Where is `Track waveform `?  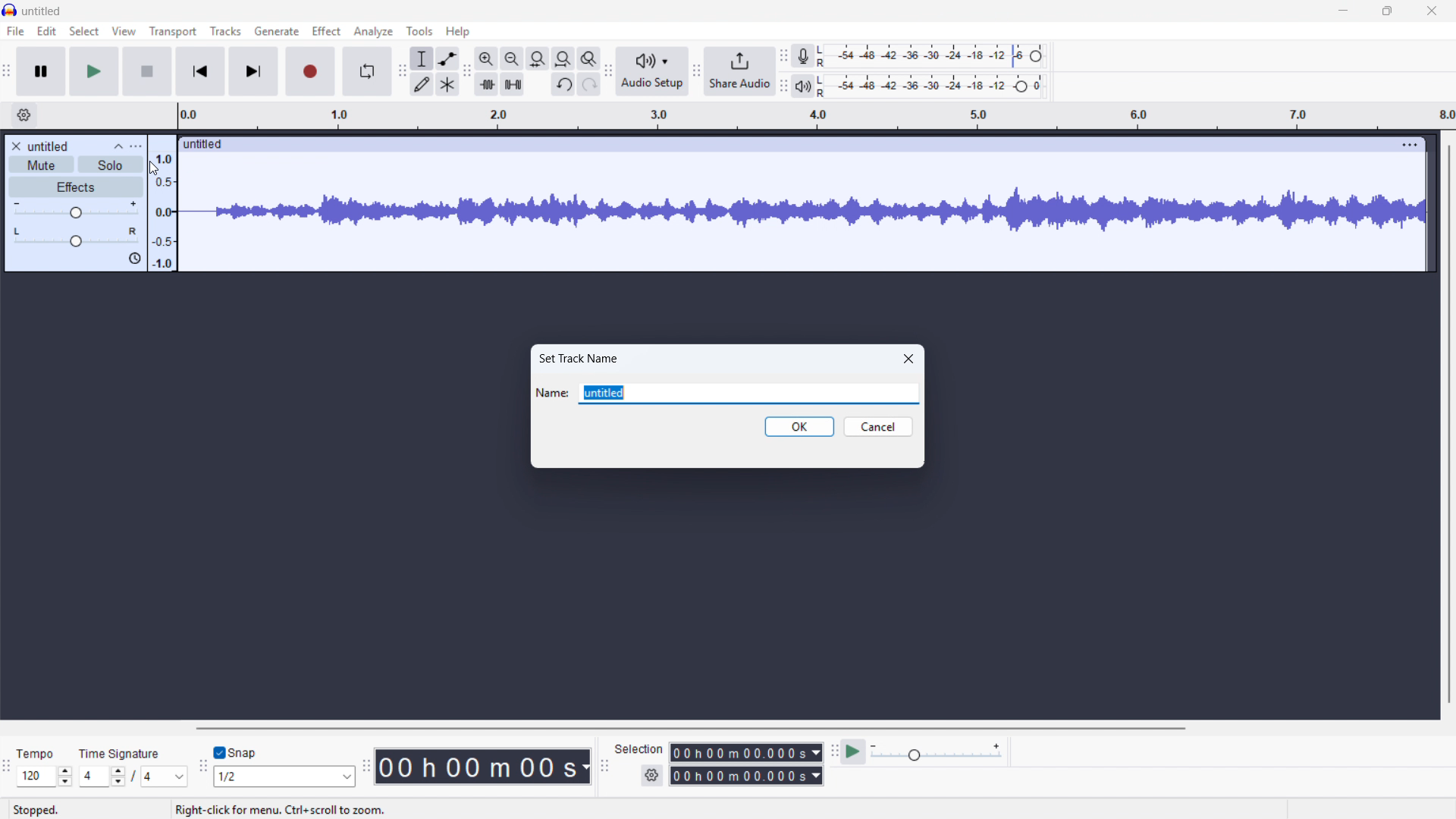
Track waveform  is located at coordinates (802, 206).